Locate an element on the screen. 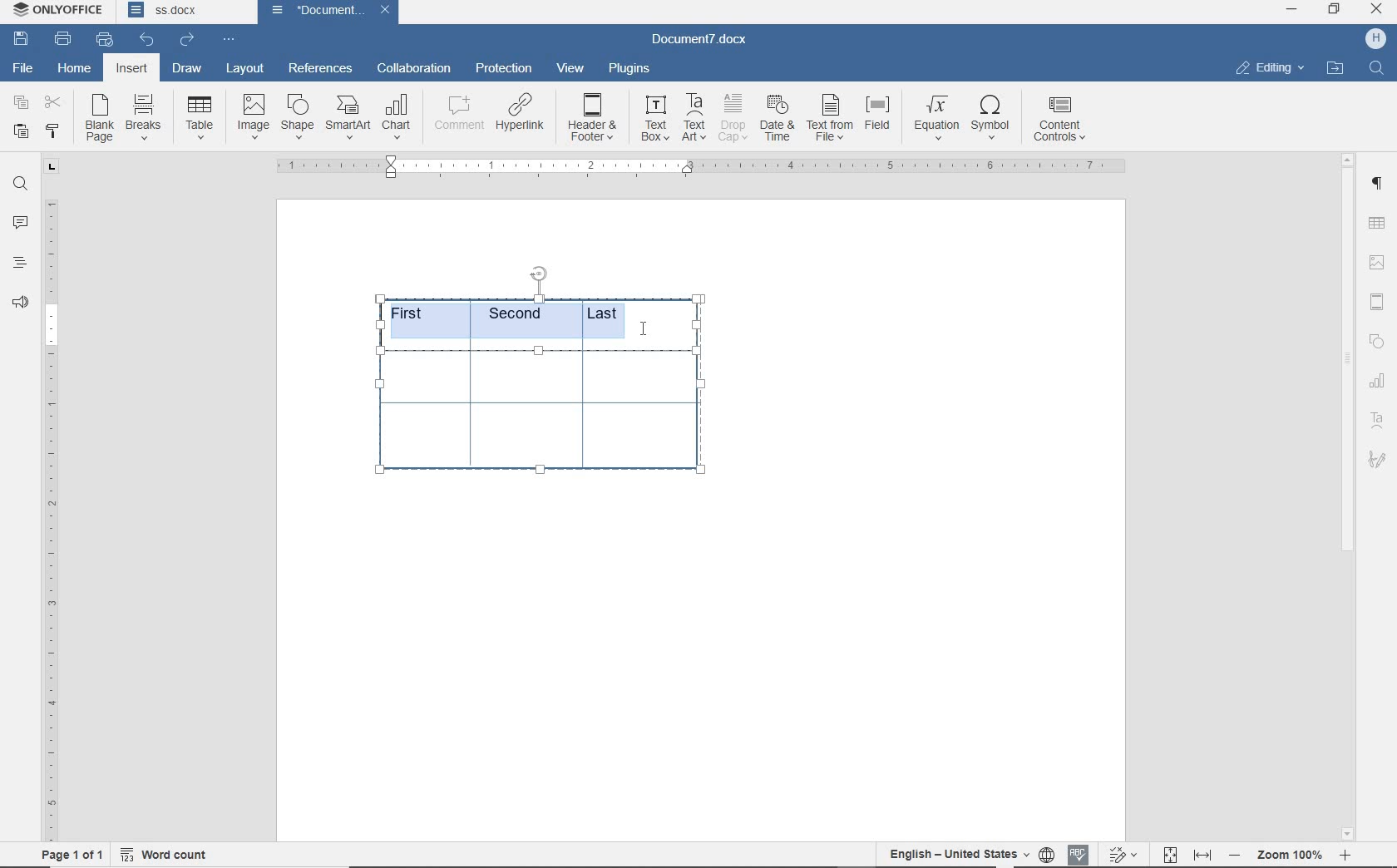 This screenshot has height=868, width=1397. chart is located at coordinates (399, 118).